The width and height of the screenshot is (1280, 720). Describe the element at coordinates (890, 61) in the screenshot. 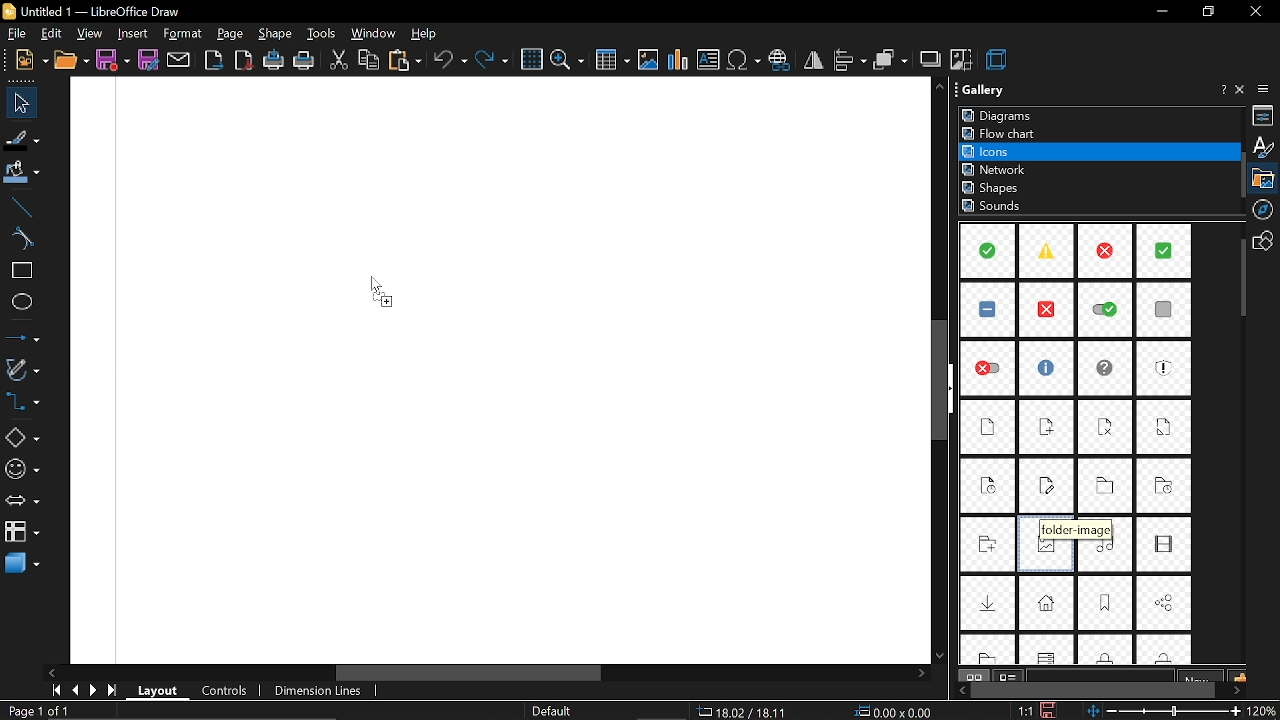

I see `arrange` at that location.